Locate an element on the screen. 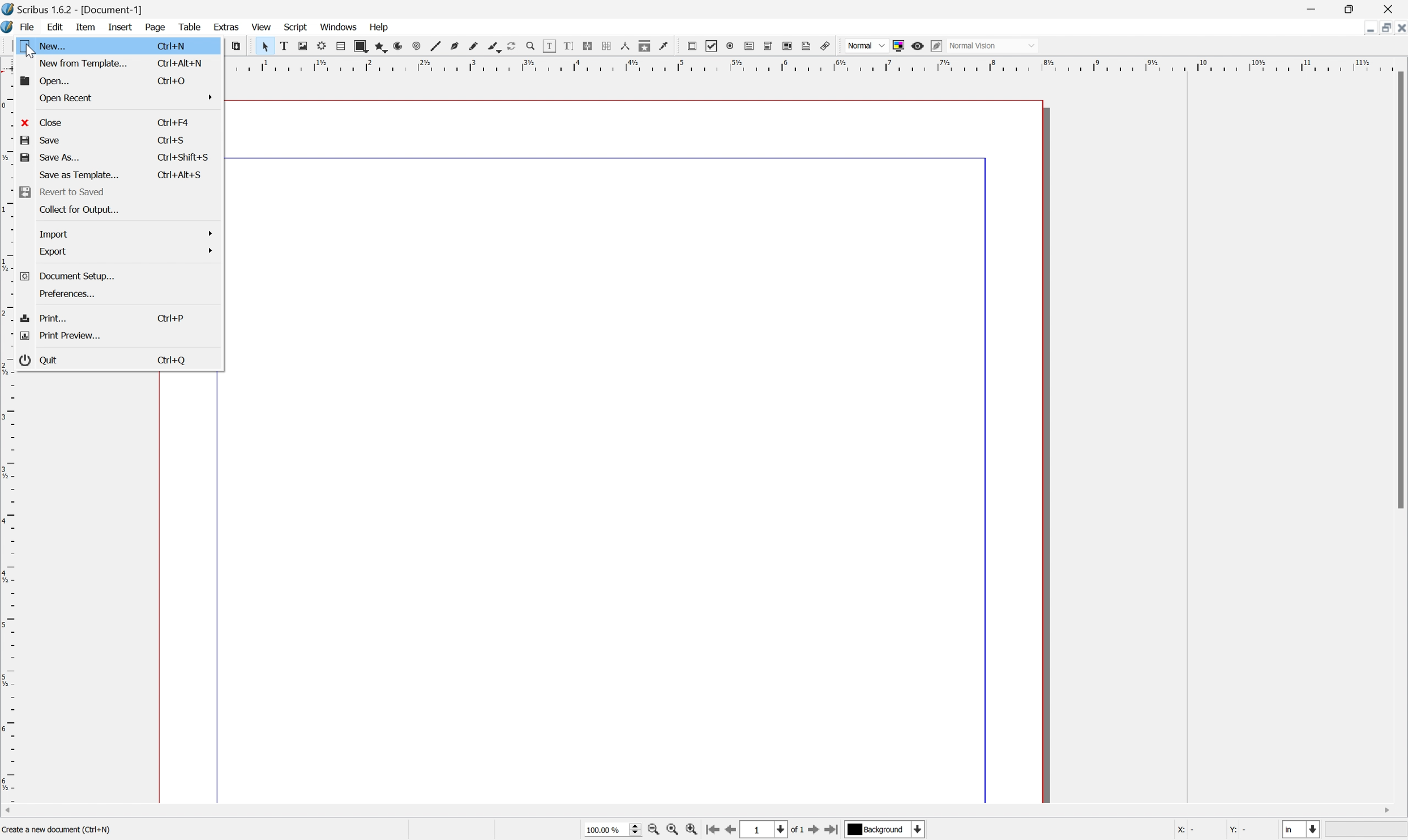 The width and height of the screenshot is (1408, 840). PDF push button is located at coordinates (691, 46).